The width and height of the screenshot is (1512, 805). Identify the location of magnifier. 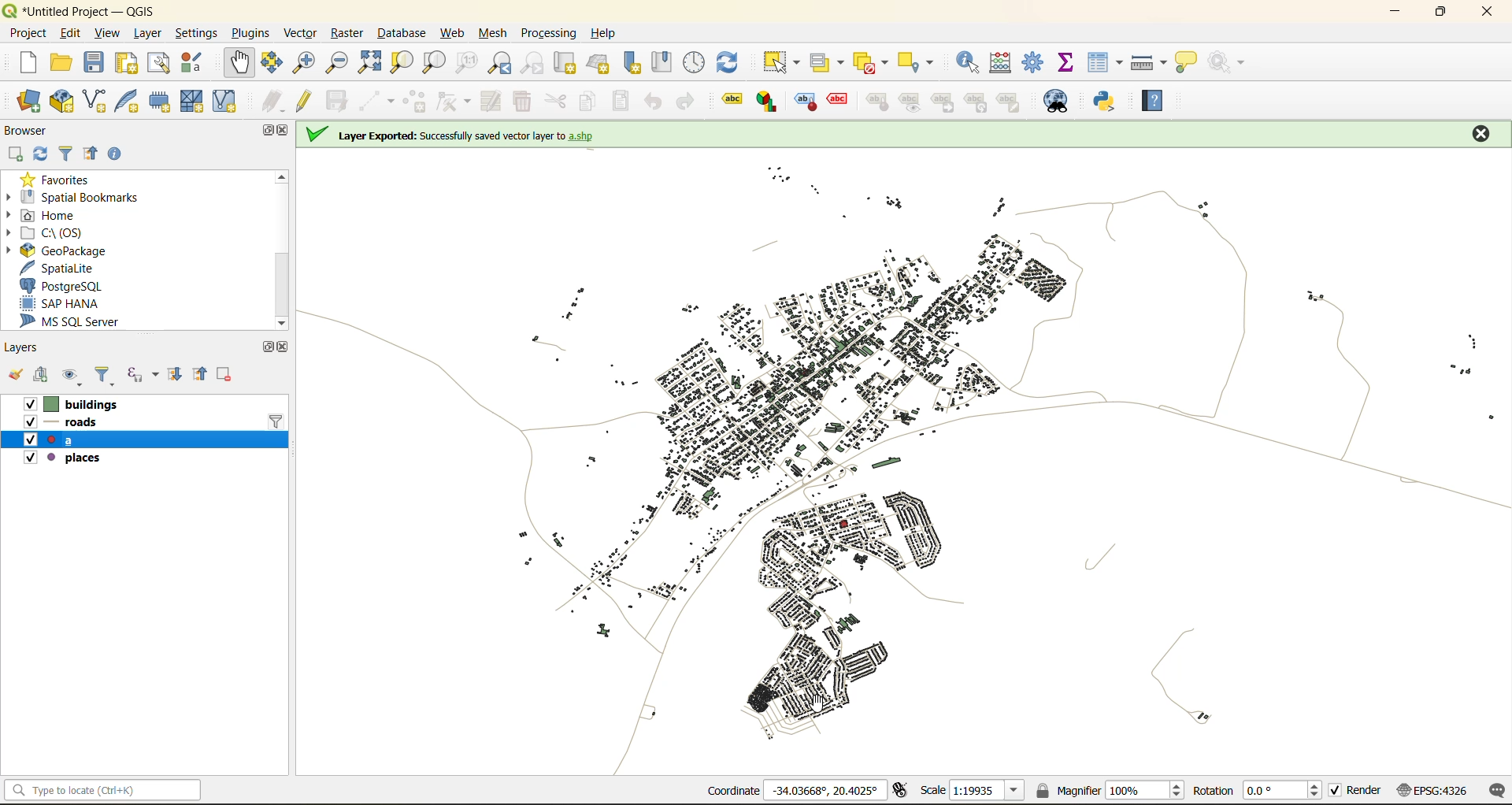
(1112, 789).